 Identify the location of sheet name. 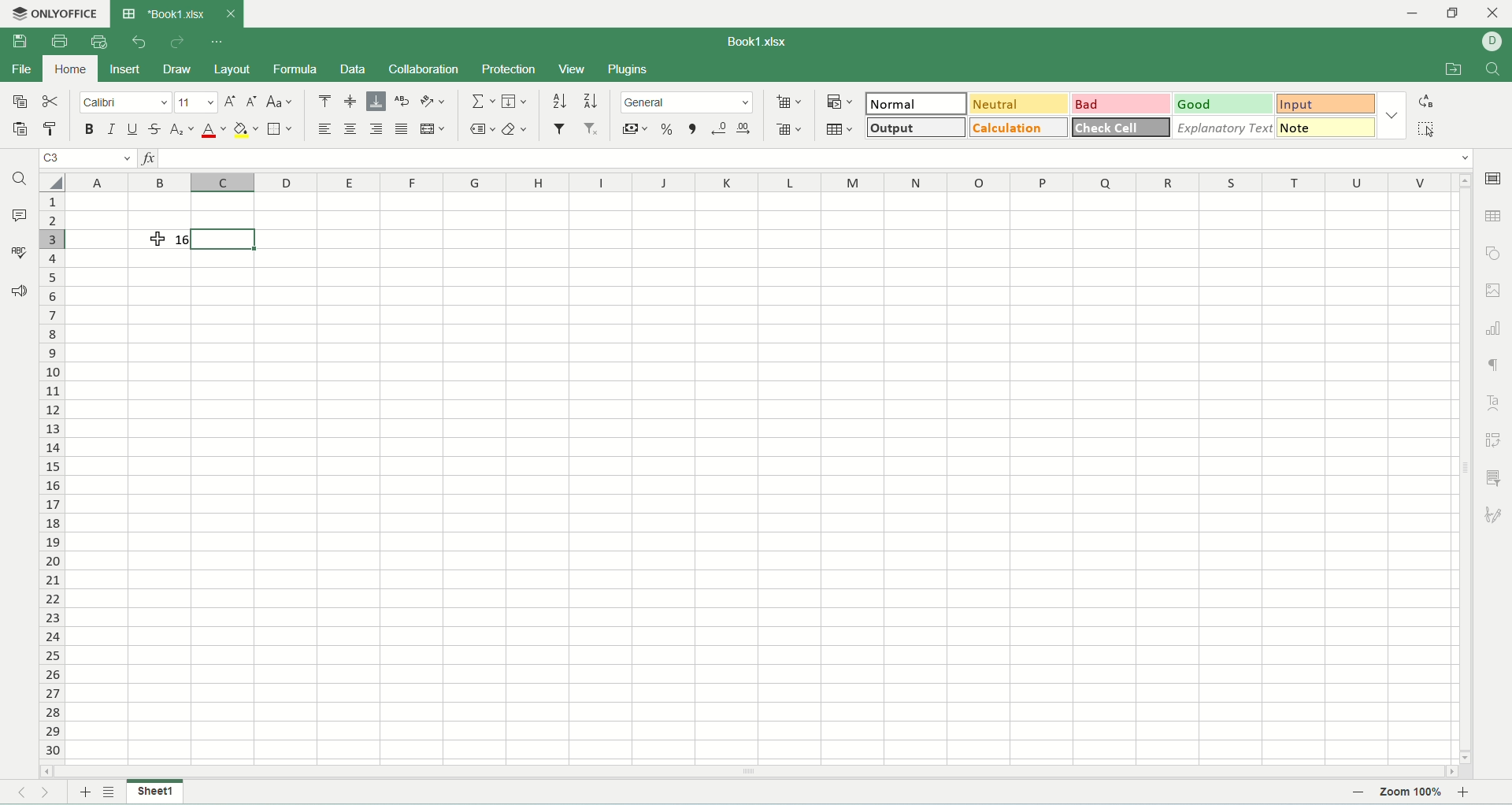
(155, 792).